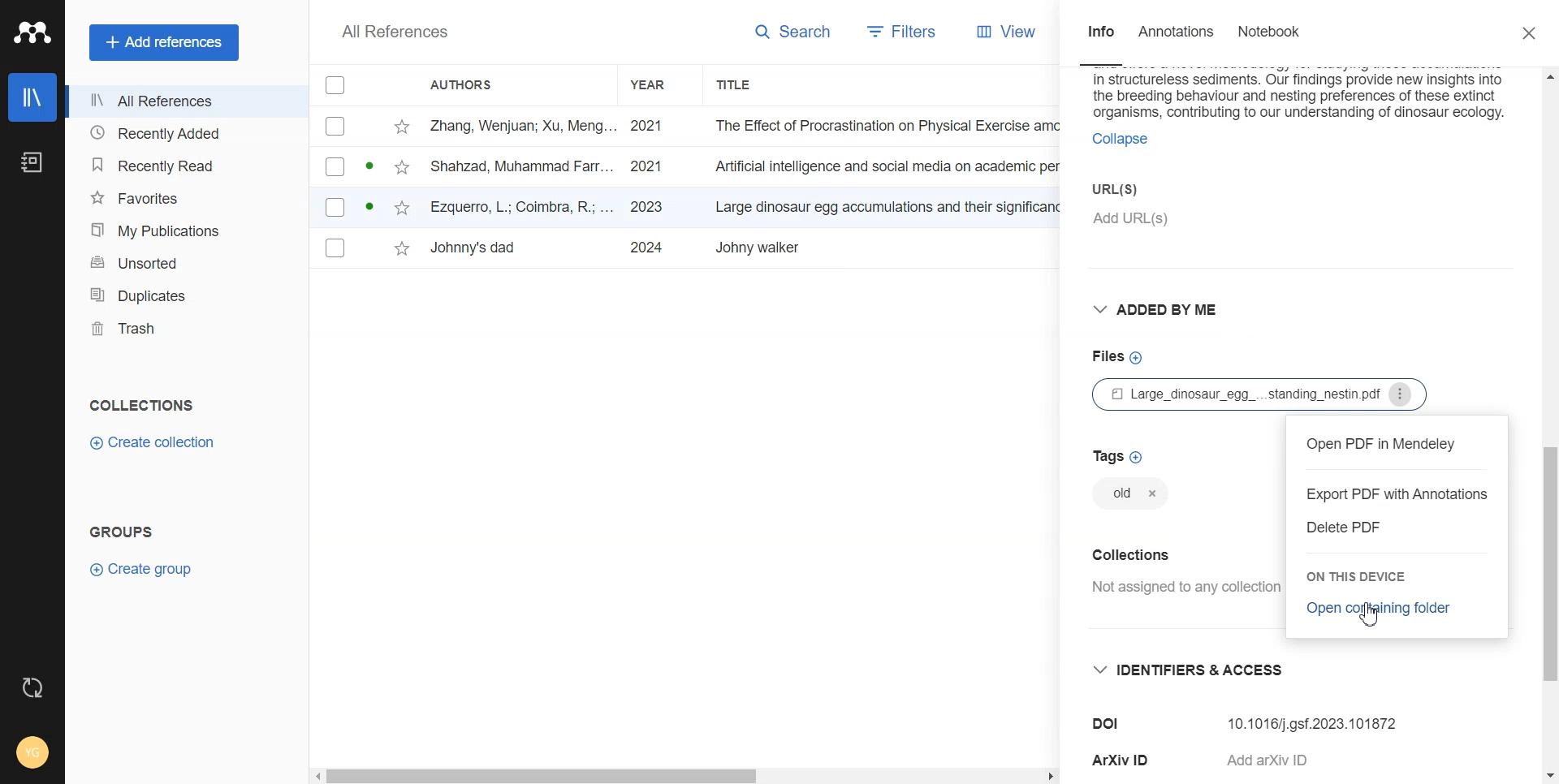  I want to click on My publication, so click(179, 230).